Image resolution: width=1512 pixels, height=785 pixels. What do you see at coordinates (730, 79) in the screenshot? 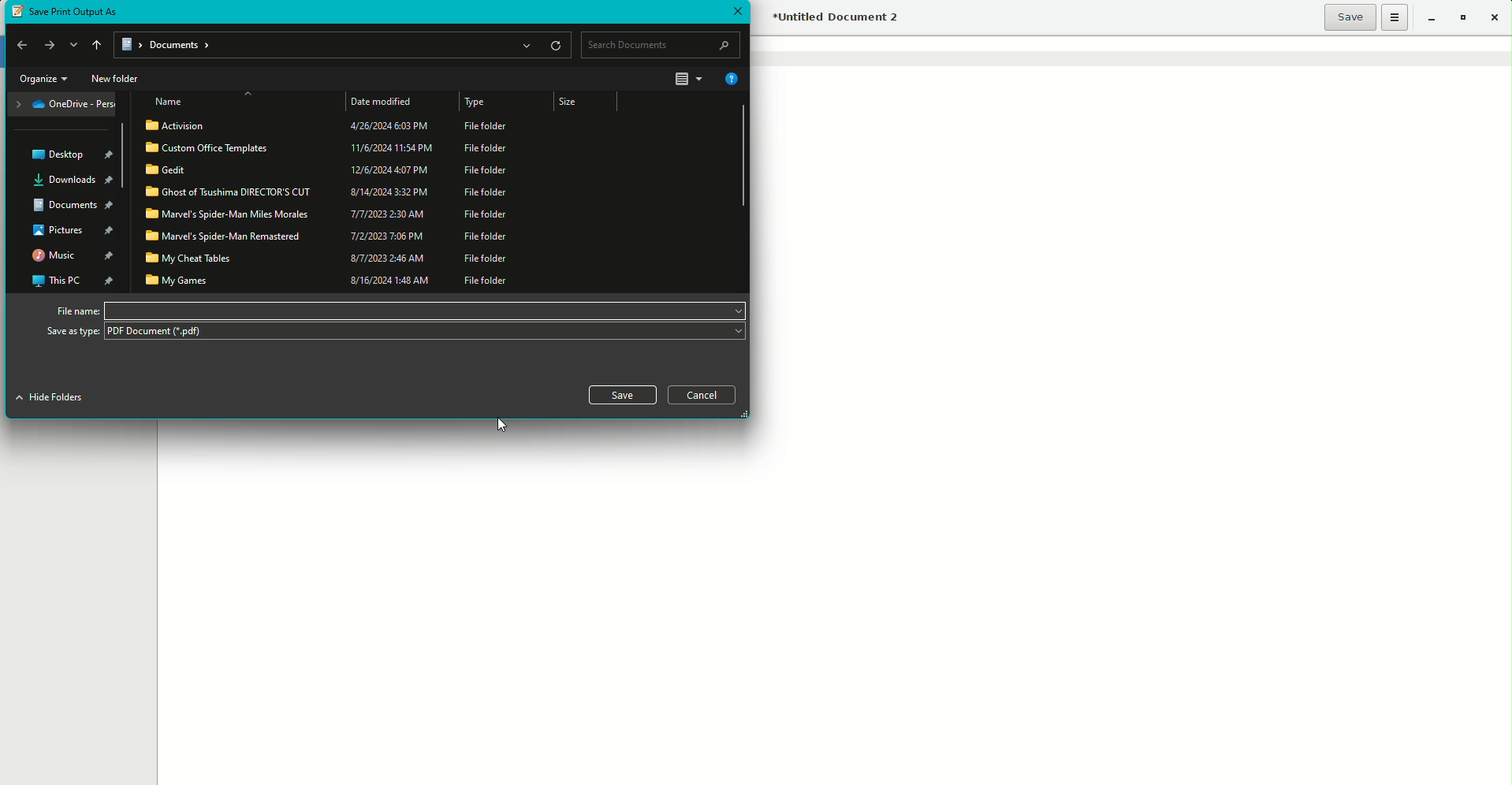
I see `Help` at bounding box center [730, 79].